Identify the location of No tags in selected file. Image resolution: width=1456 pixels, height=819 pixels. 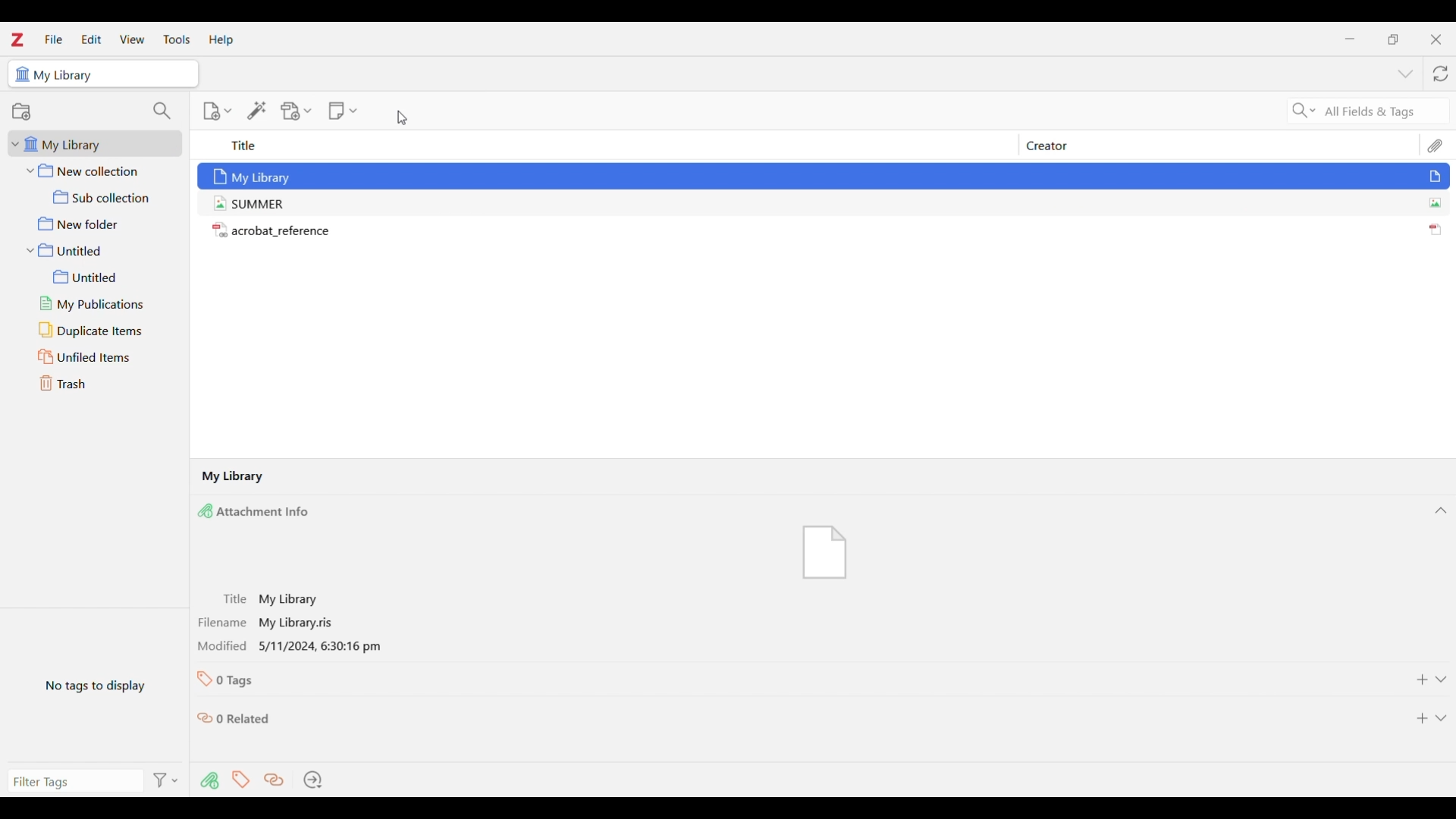
(95, 684).